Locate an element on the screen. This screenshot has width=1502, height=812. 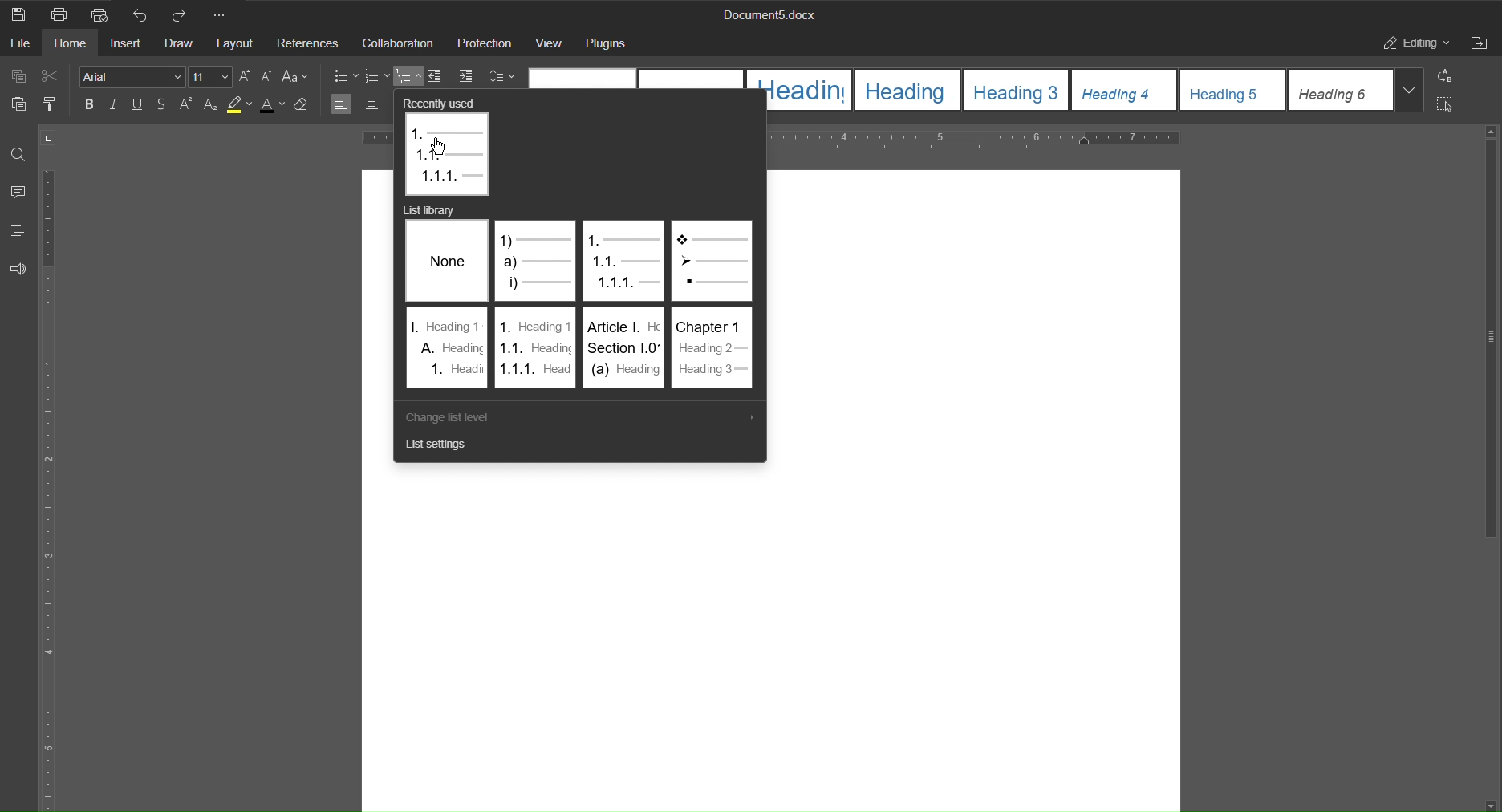
Heading 5 is located at coordinates (1234, 90).